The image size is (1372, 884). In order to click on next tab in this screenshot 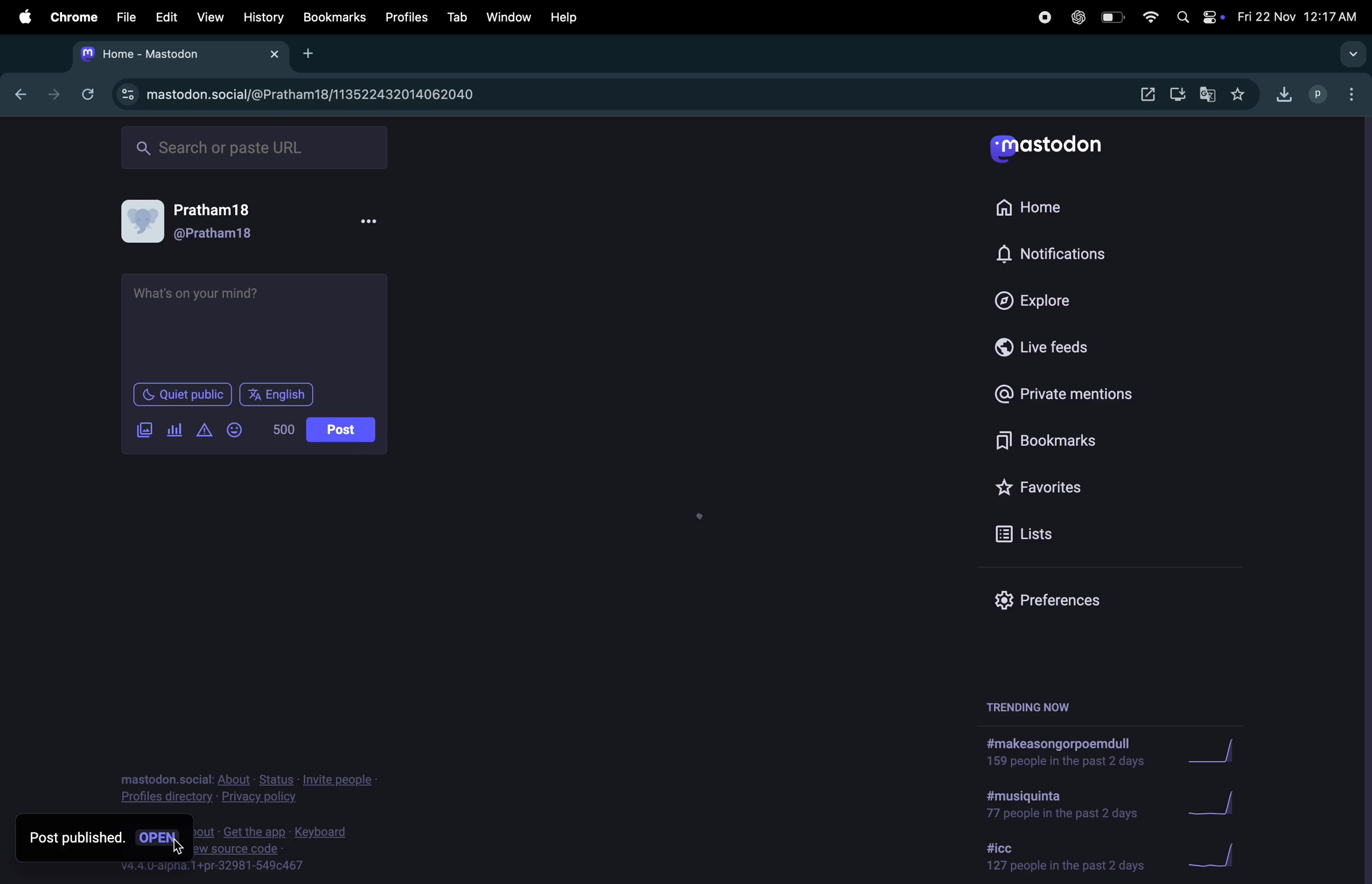, I will do `click(50, 95)`.